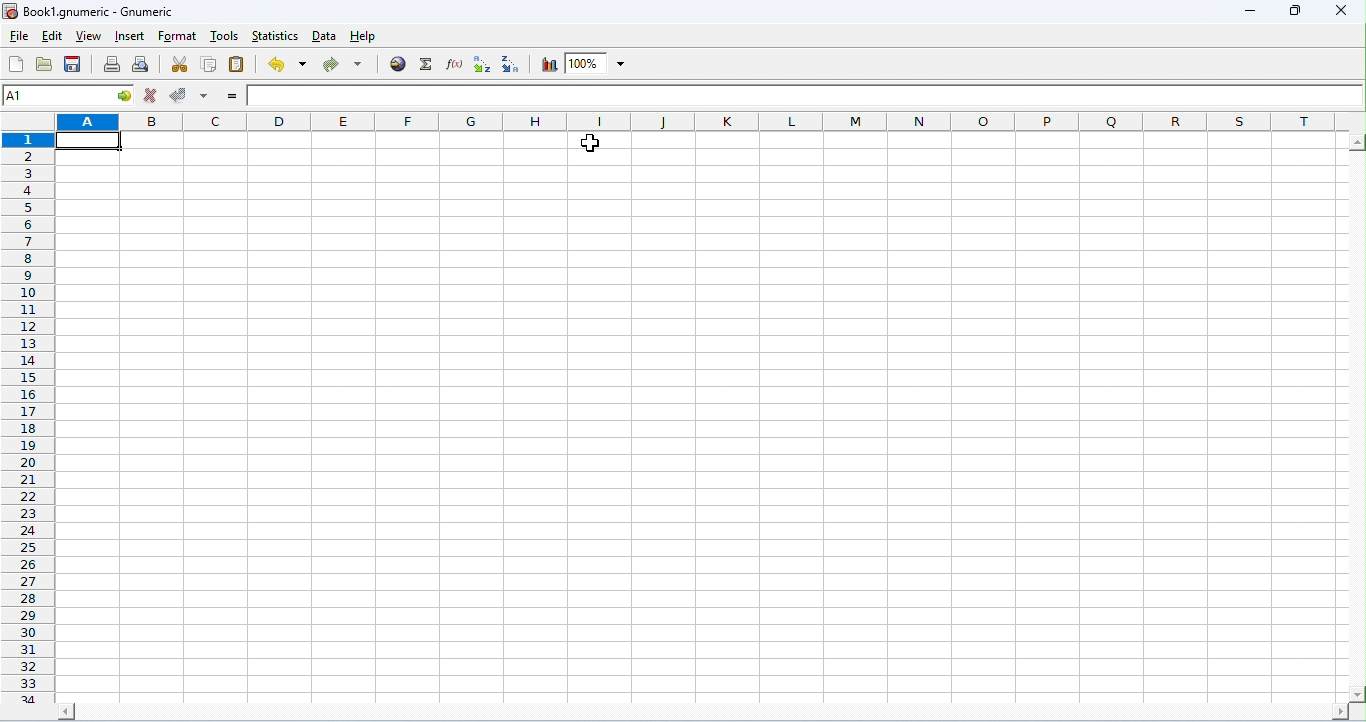 The height and width of the screenshot is (722, 1366). Describe the element at coordinates (1251, 11) in the screenshot. I see `minimize` at that location.